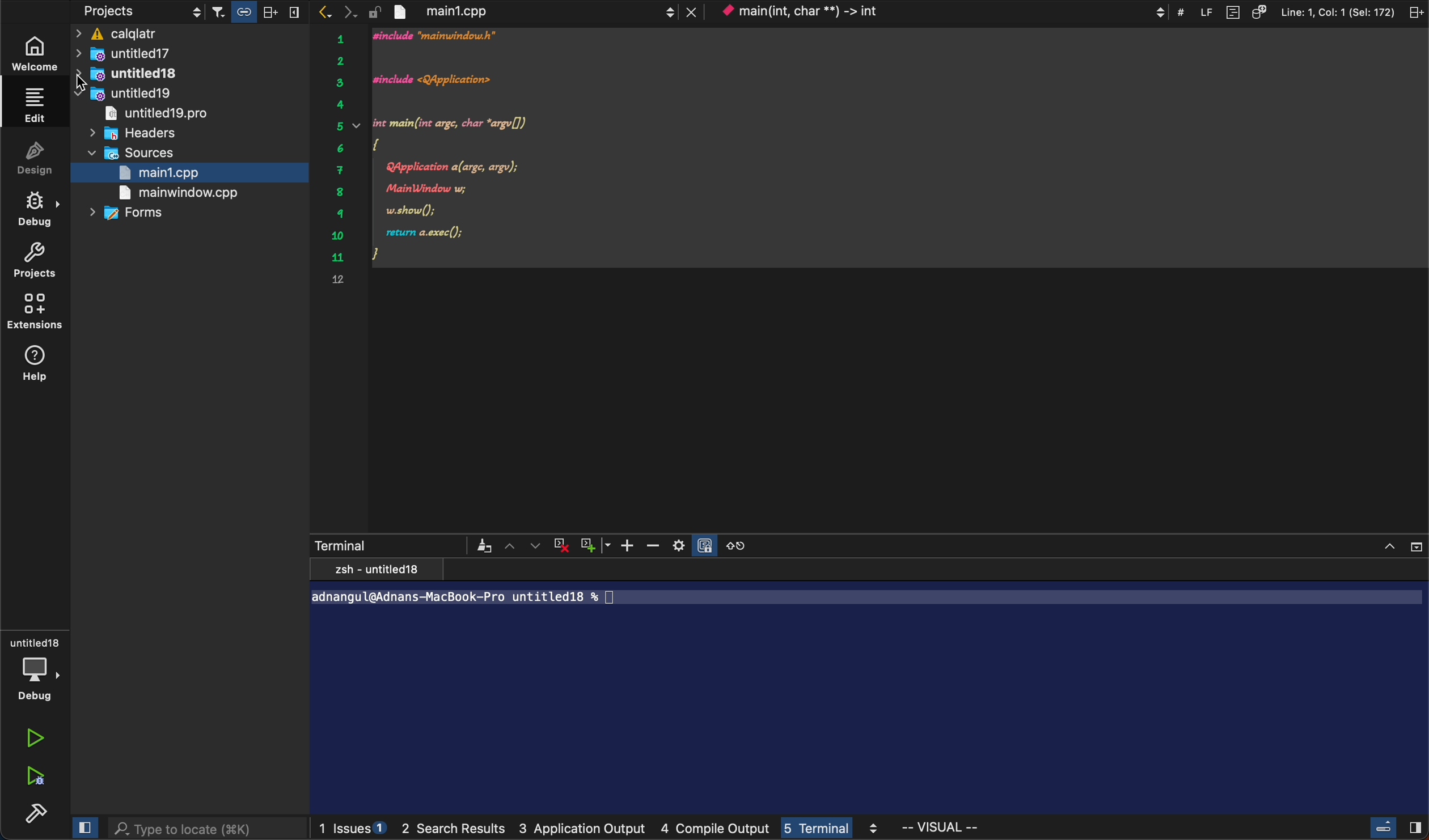 The image size is (1429, 840). Describe the element at coordinates (519, 545) in the screenshot. I see `arrows` at that location.